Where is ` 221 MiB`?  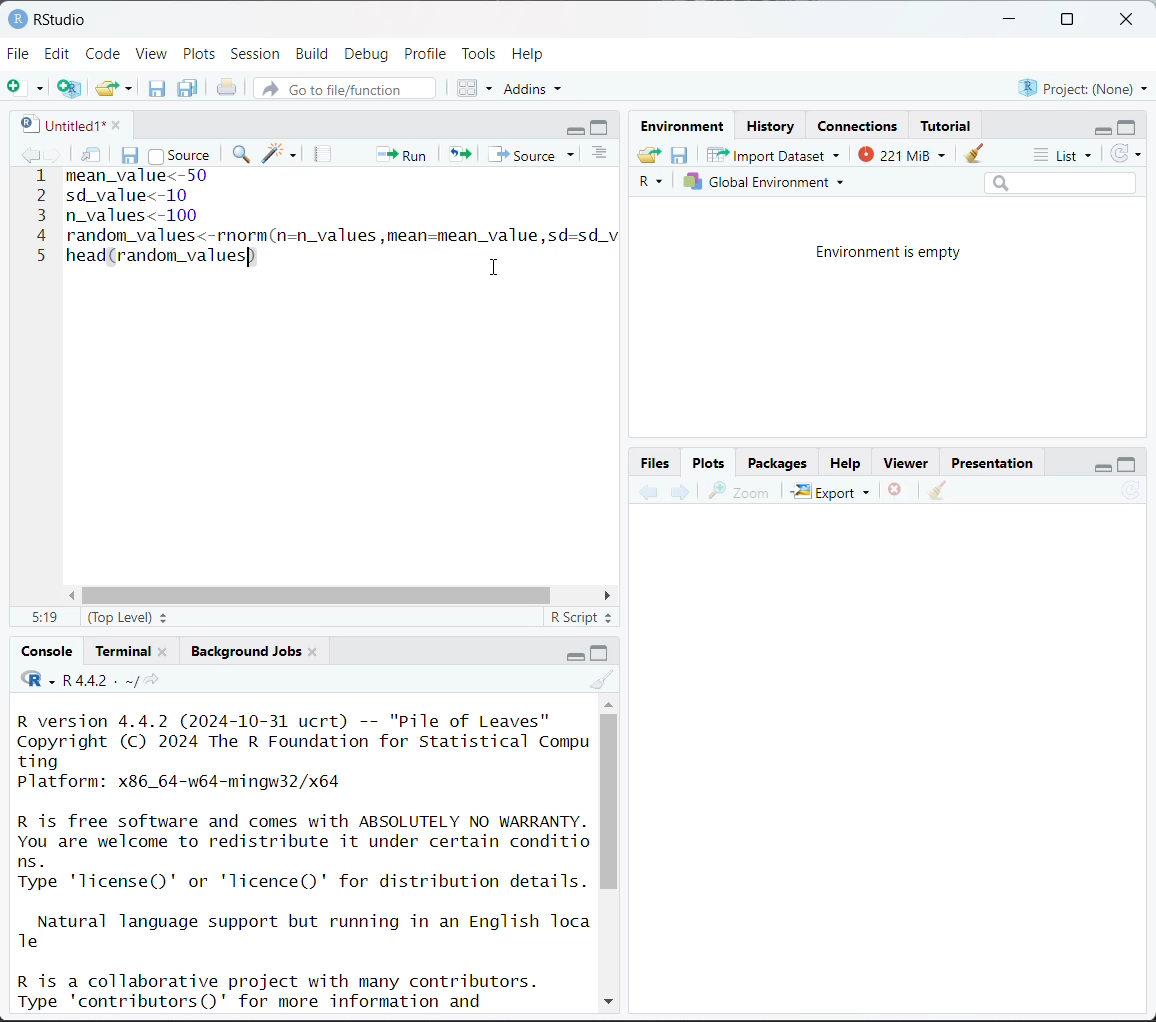  221 MiB is located at coordinates (899, 152).